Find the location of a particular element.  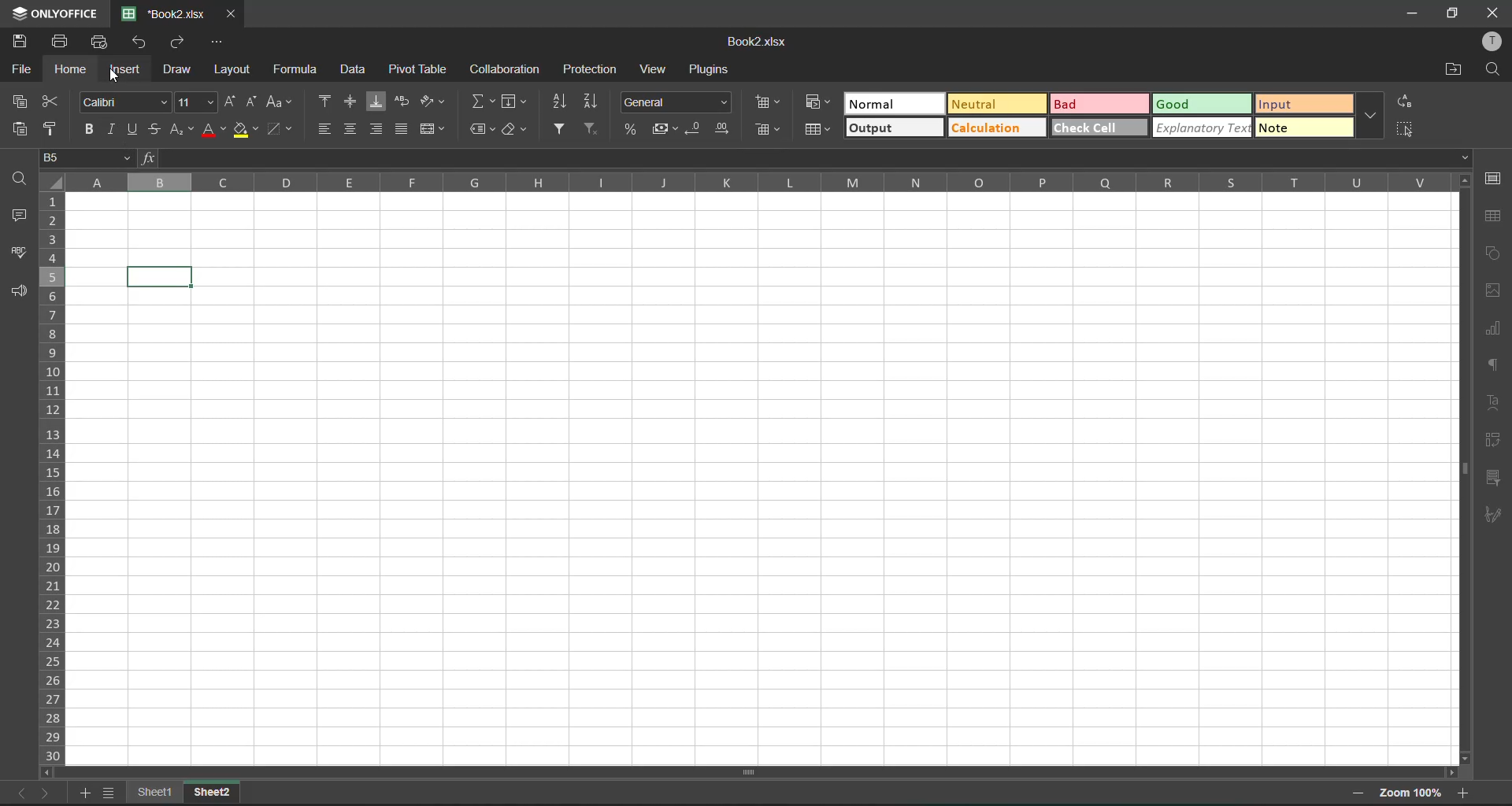

justified is located at coordinates (406, 131).